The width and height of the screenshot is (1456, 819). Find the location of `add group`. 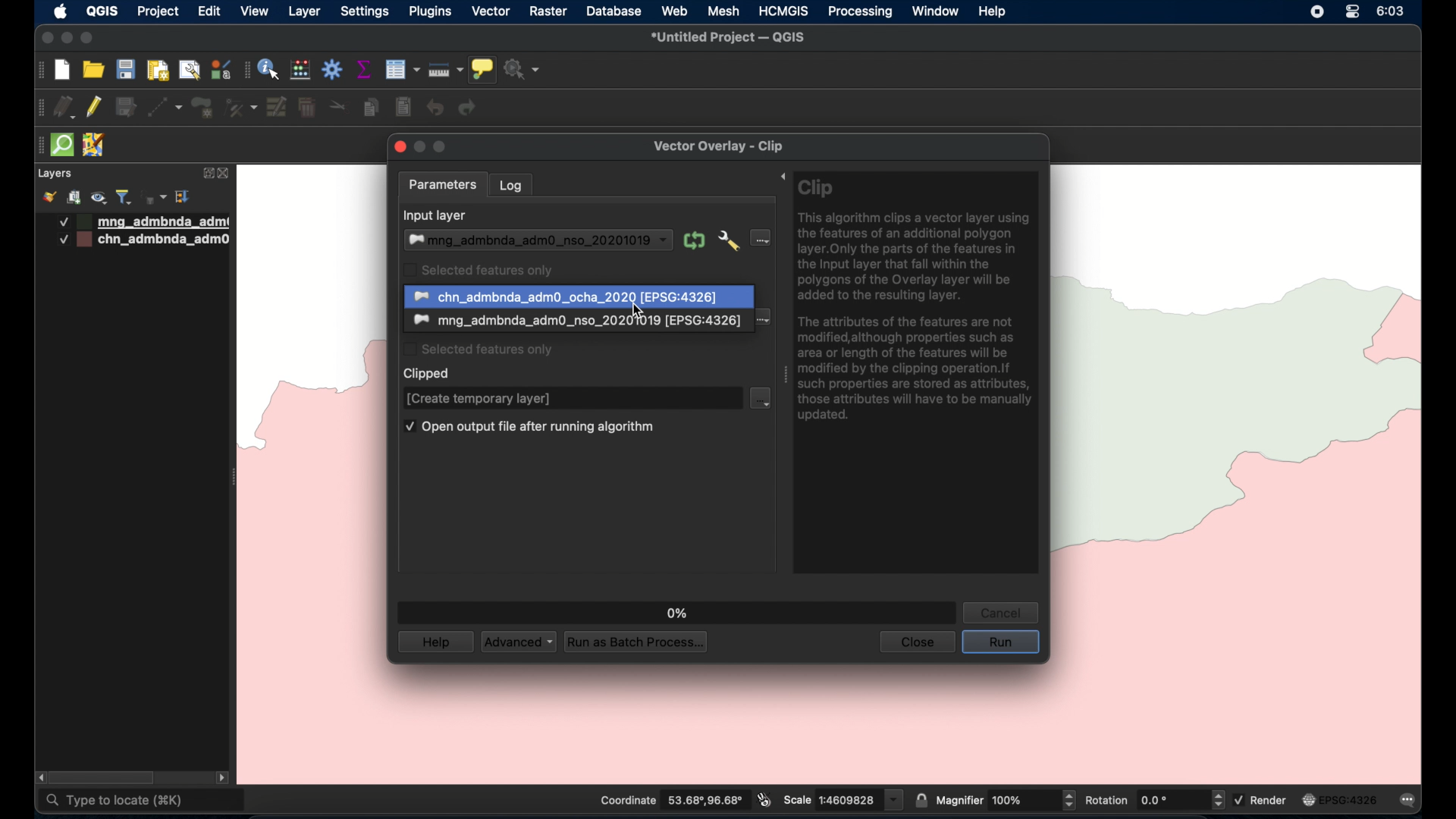

add group is located at coordinates (74, 197).